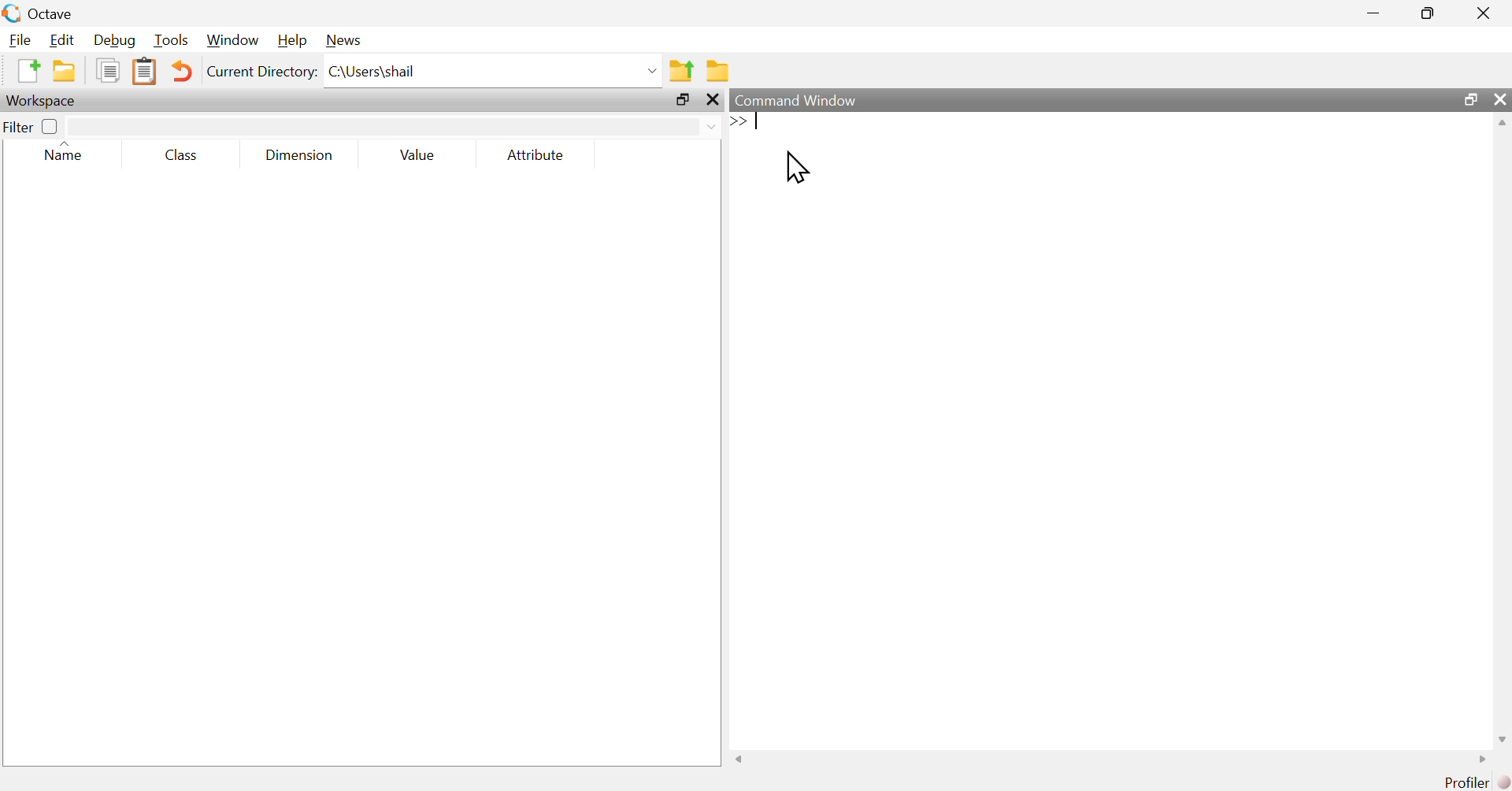 The width and height of the screenshot is (1512, 791). Describe the element at coordinates (182, 154) in the screenshot. I see `Class` at that location.